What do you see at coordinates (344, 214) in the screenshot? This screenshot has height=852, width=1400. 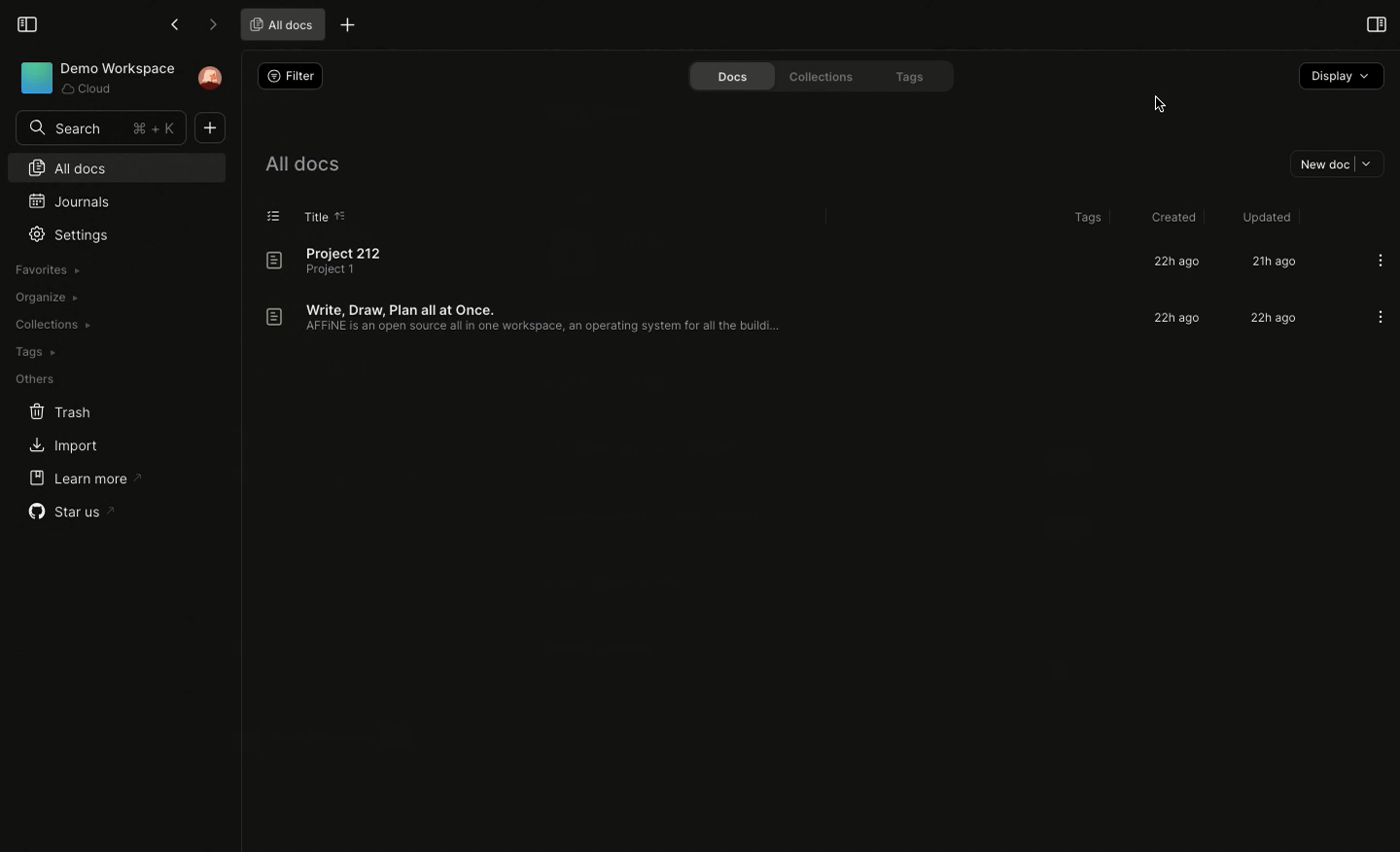 I see `Sort` at bounding box center [344, 214].